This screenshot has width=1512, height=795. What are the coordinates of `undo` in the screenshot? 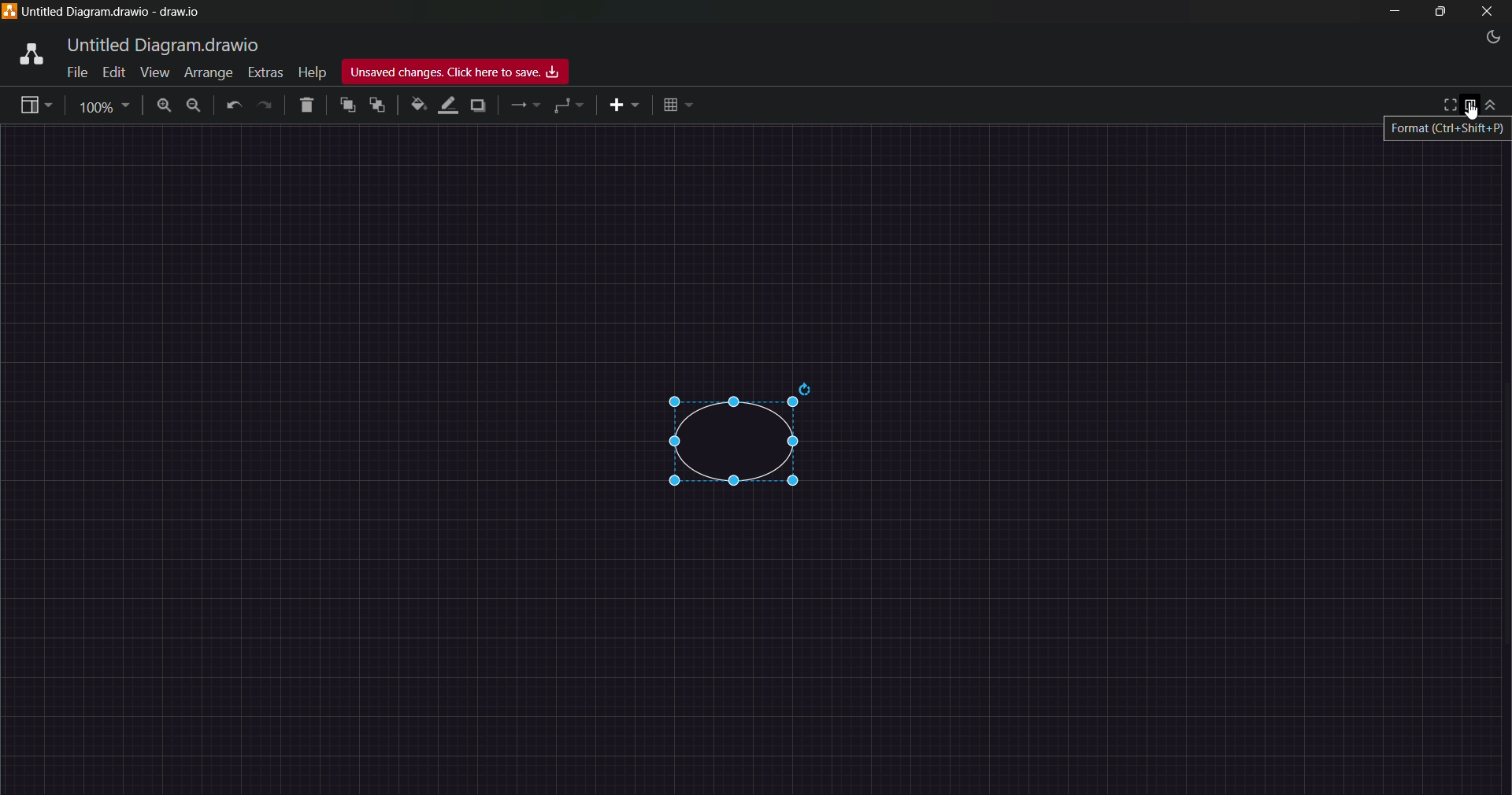 It's located at (232, 107).